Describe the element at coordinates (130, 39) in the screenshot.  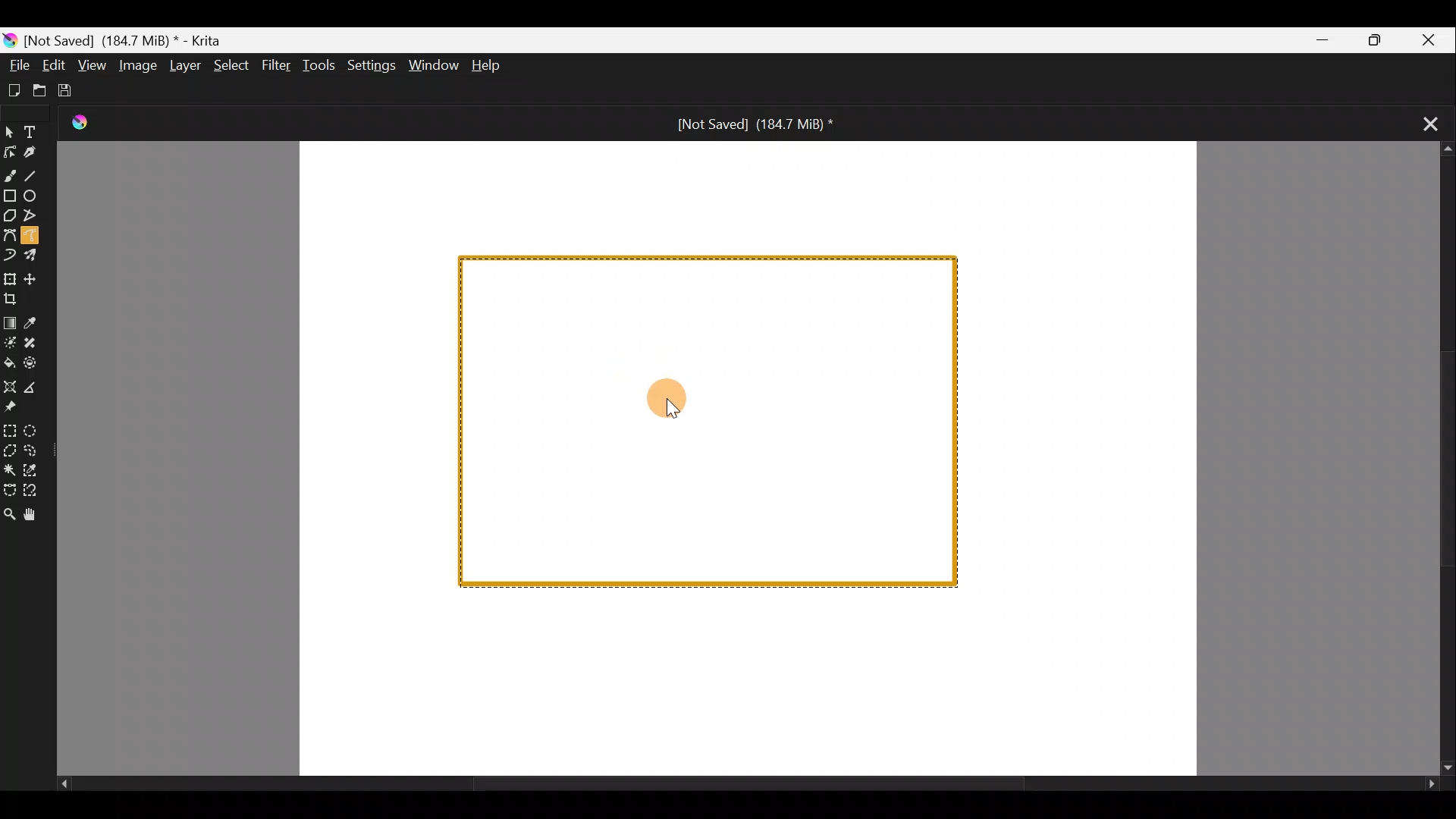
I see `) [Not Saved] (184.7 MiB) * - Krita` at that location.